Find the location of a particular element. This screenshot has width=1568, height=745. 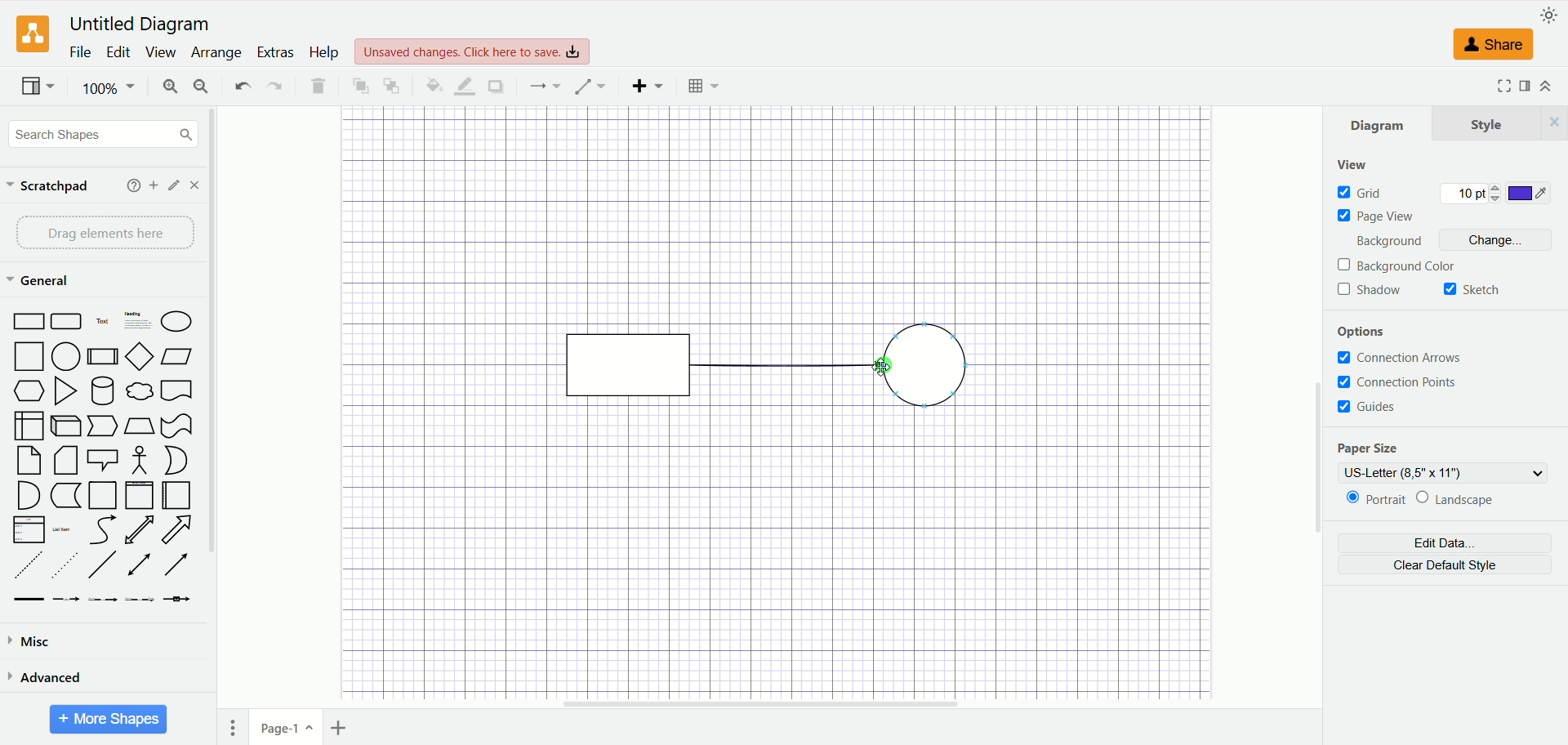

Pointer is located at coordinates (104, 426).